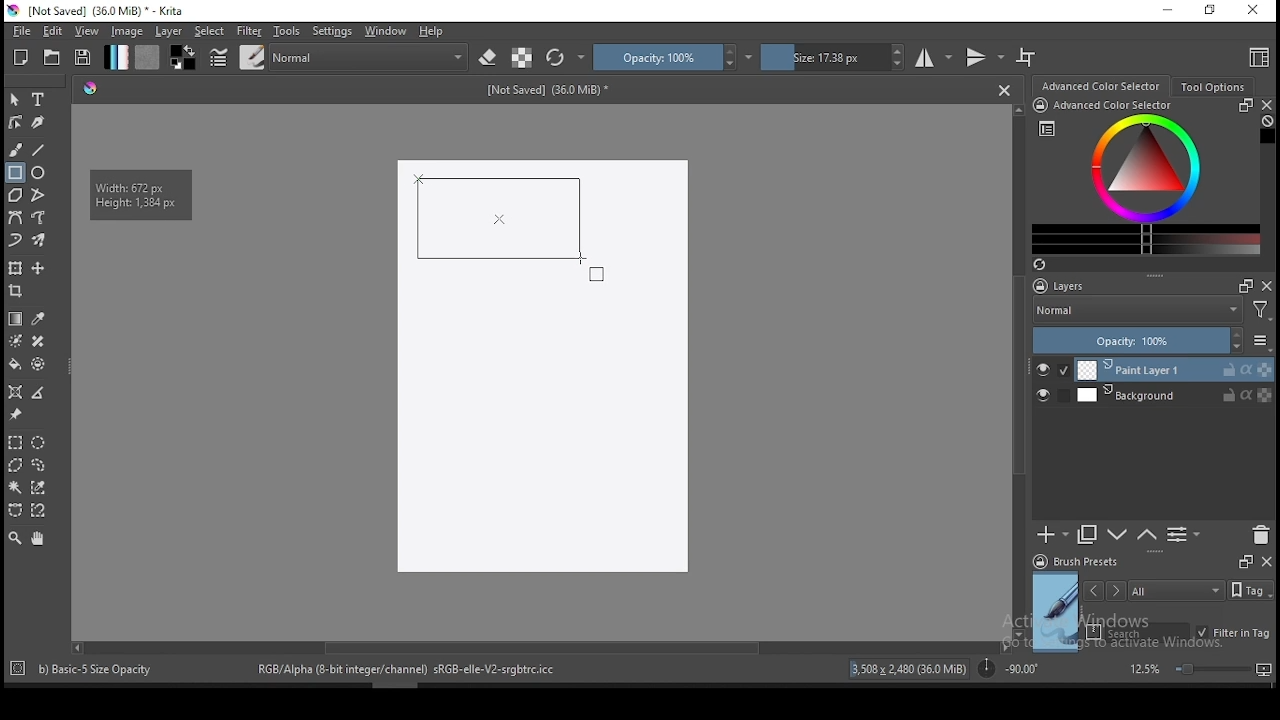 This screenshot has width=1280, height=720. Describe the element at coordinates (1176, 590) in the screenshot. I see `tags` at that location.